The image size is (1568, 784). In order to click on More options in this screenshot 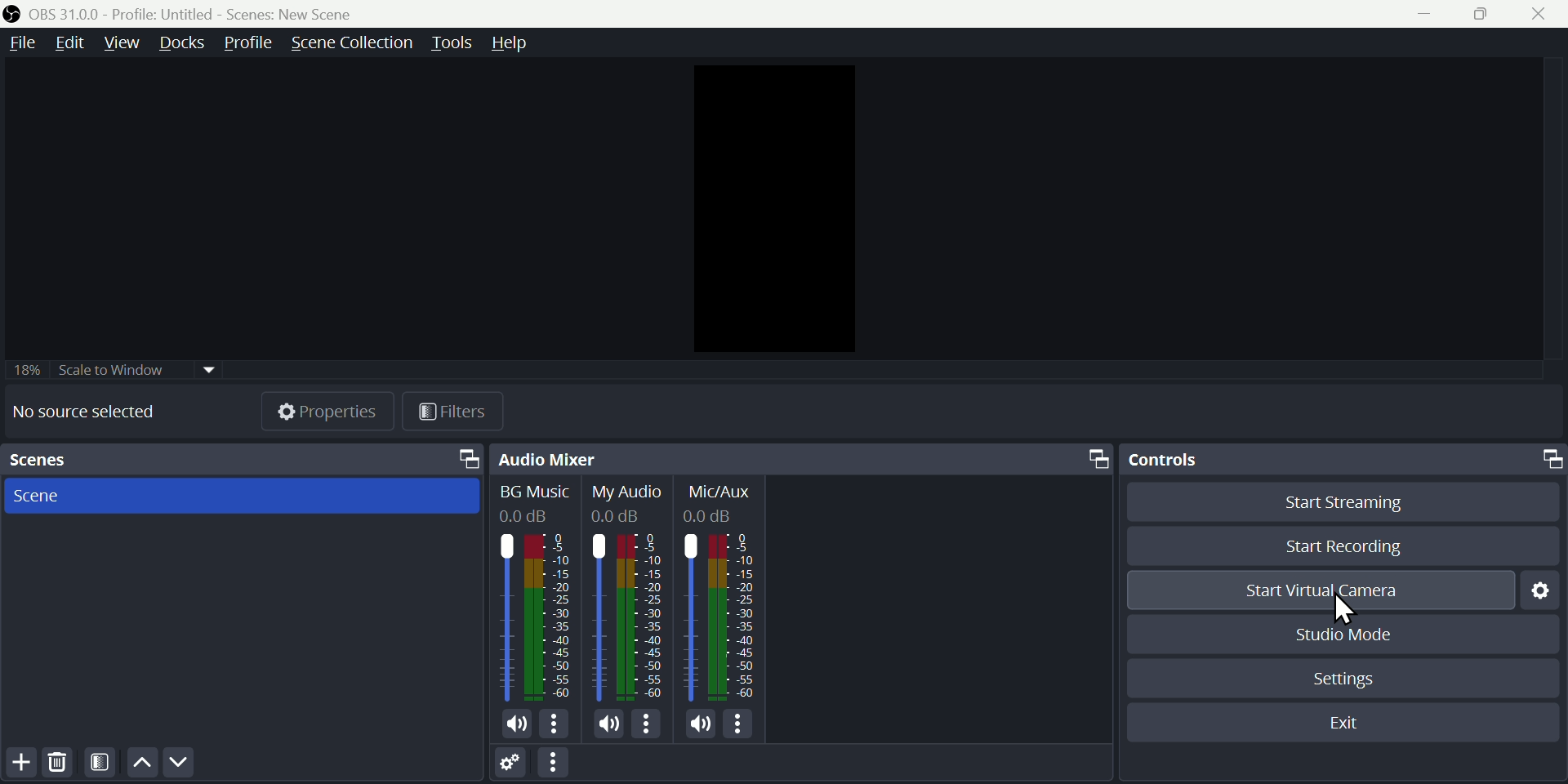, I will do `click(557, 764)`.